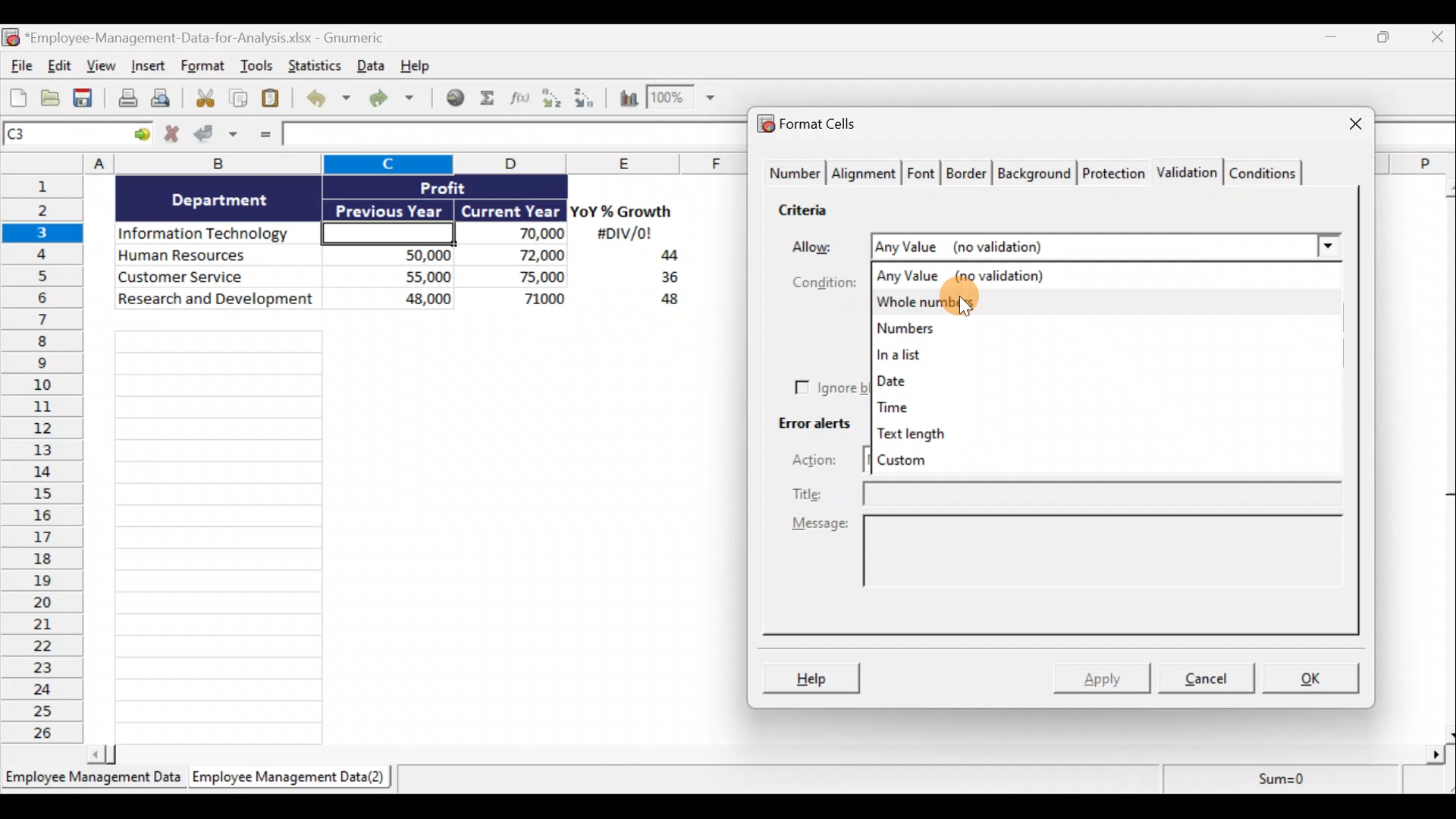 The height and width of the screenshot is (819, 1456). What do you see at coordinates (203, 68) in the screenshot?
I see `Format` at bounding box center [203, 68].